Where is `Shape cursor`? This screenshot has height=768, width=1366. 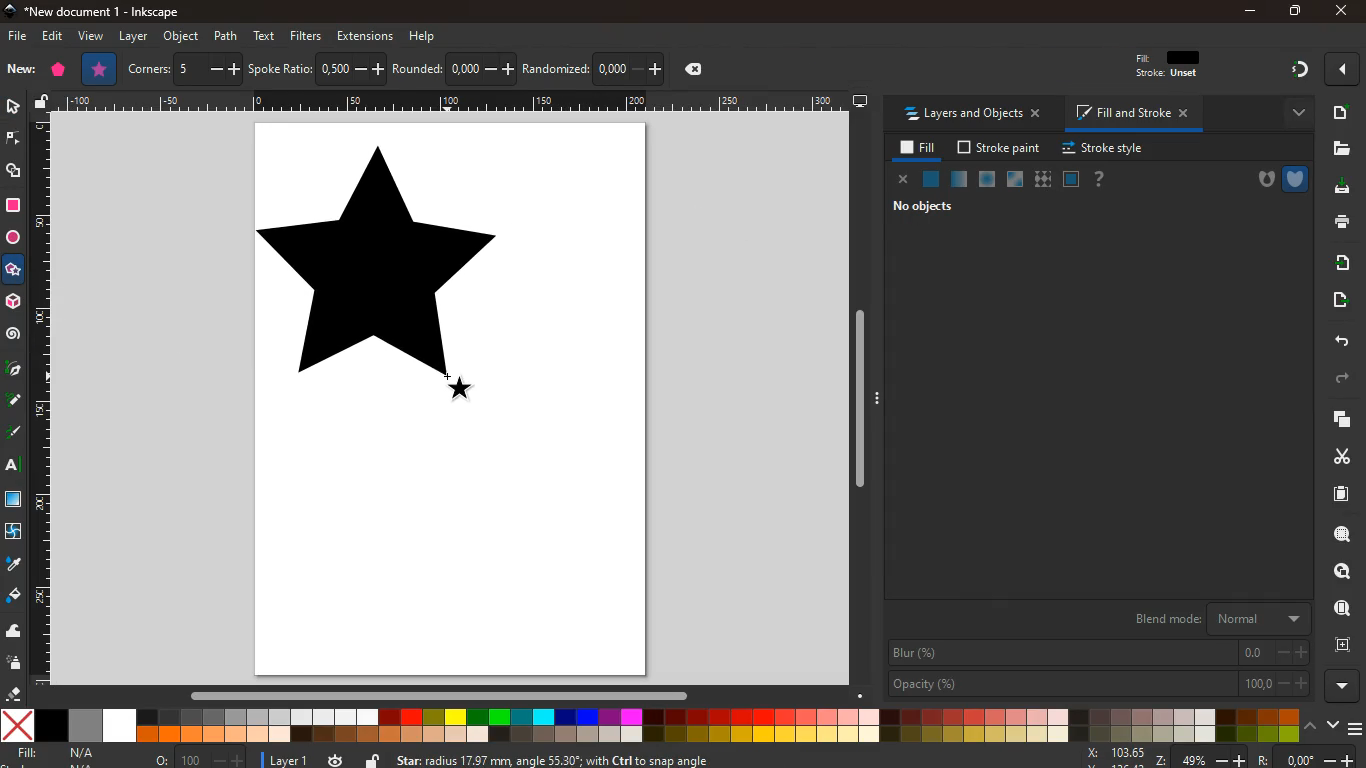
Shape cursor is located at coordinates (456, 385).